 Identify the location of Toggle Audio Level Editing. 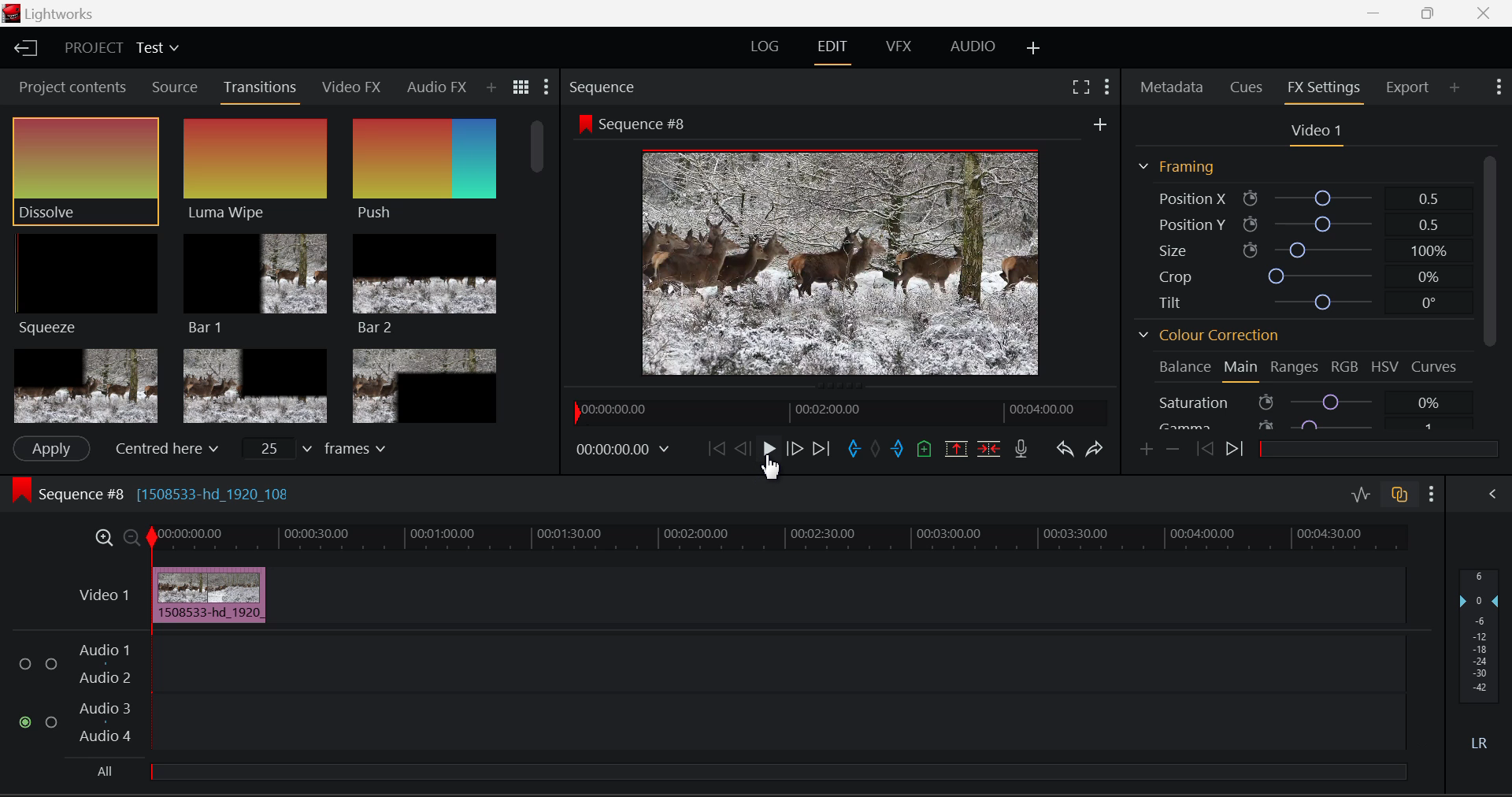
(1362, 496).